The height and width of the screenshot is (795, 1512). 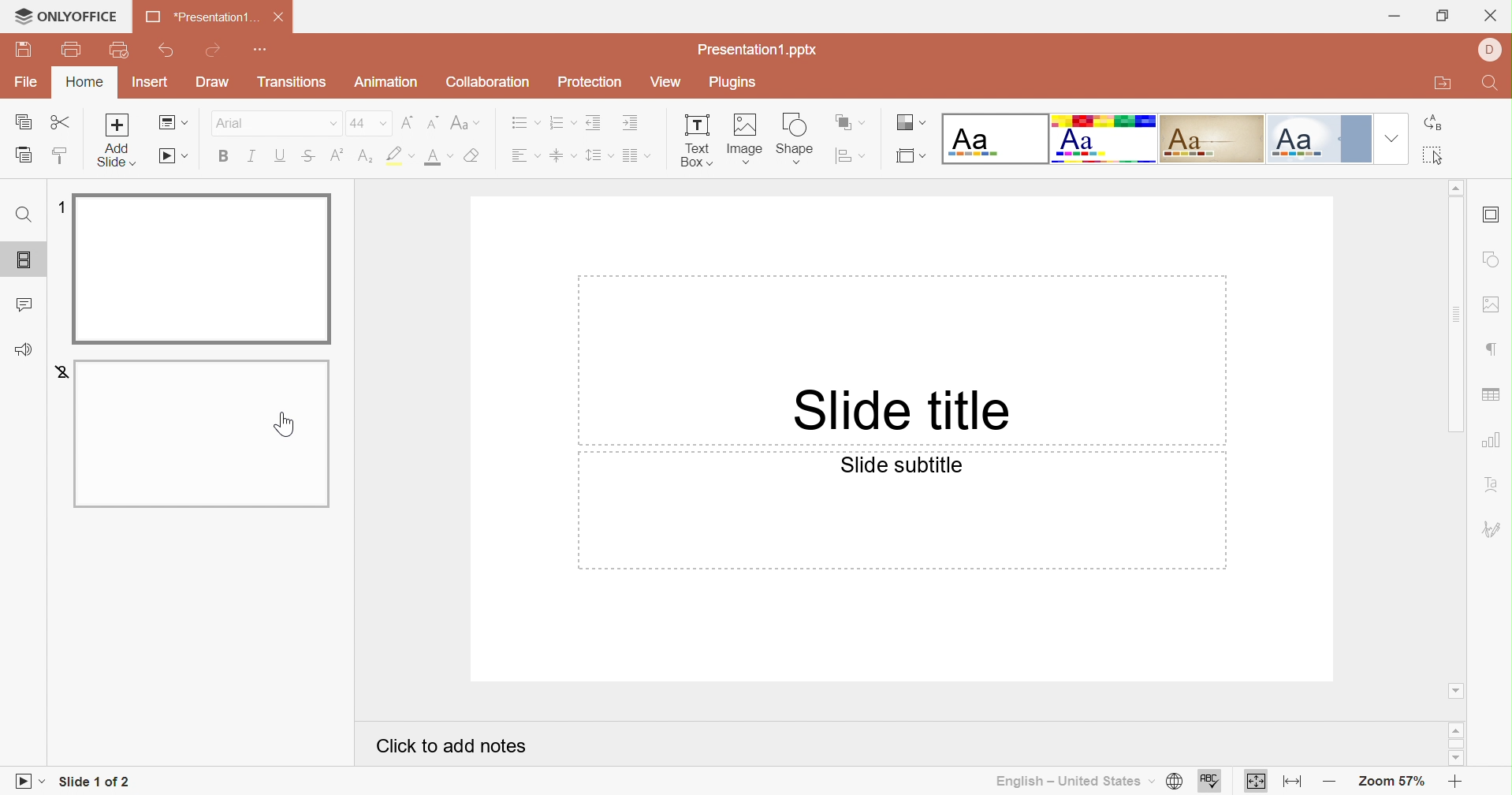 What do you see at coordinates (1074, 781) in the screenshot?
I see `English - United States` at bounding box center [1074, 781].